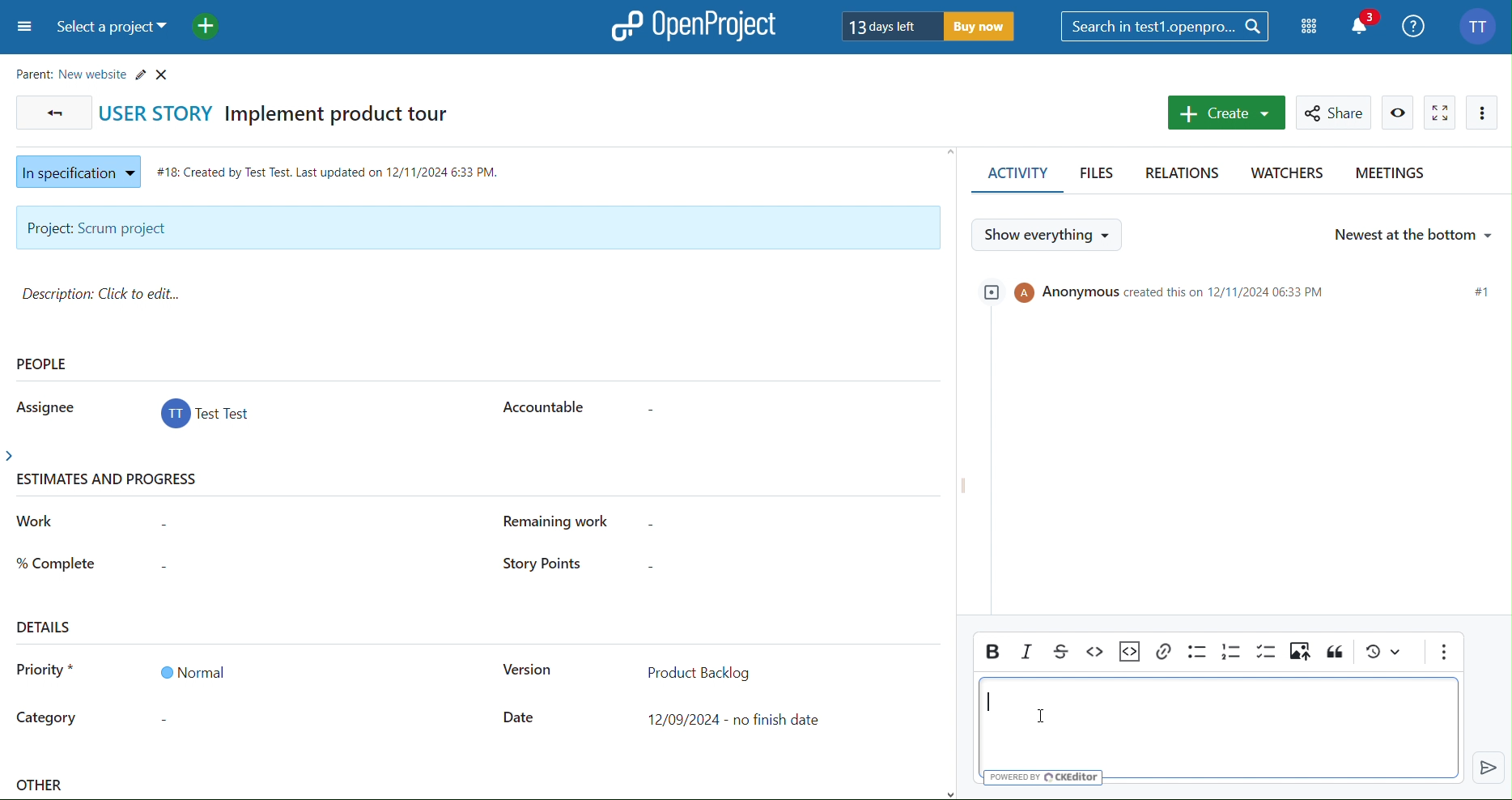 The height and width of the screenshot is (800, 1512). What do you see at coordinates (1443, 653) in the screenshot?
I see `Options` at bounding box center [1443, 653].